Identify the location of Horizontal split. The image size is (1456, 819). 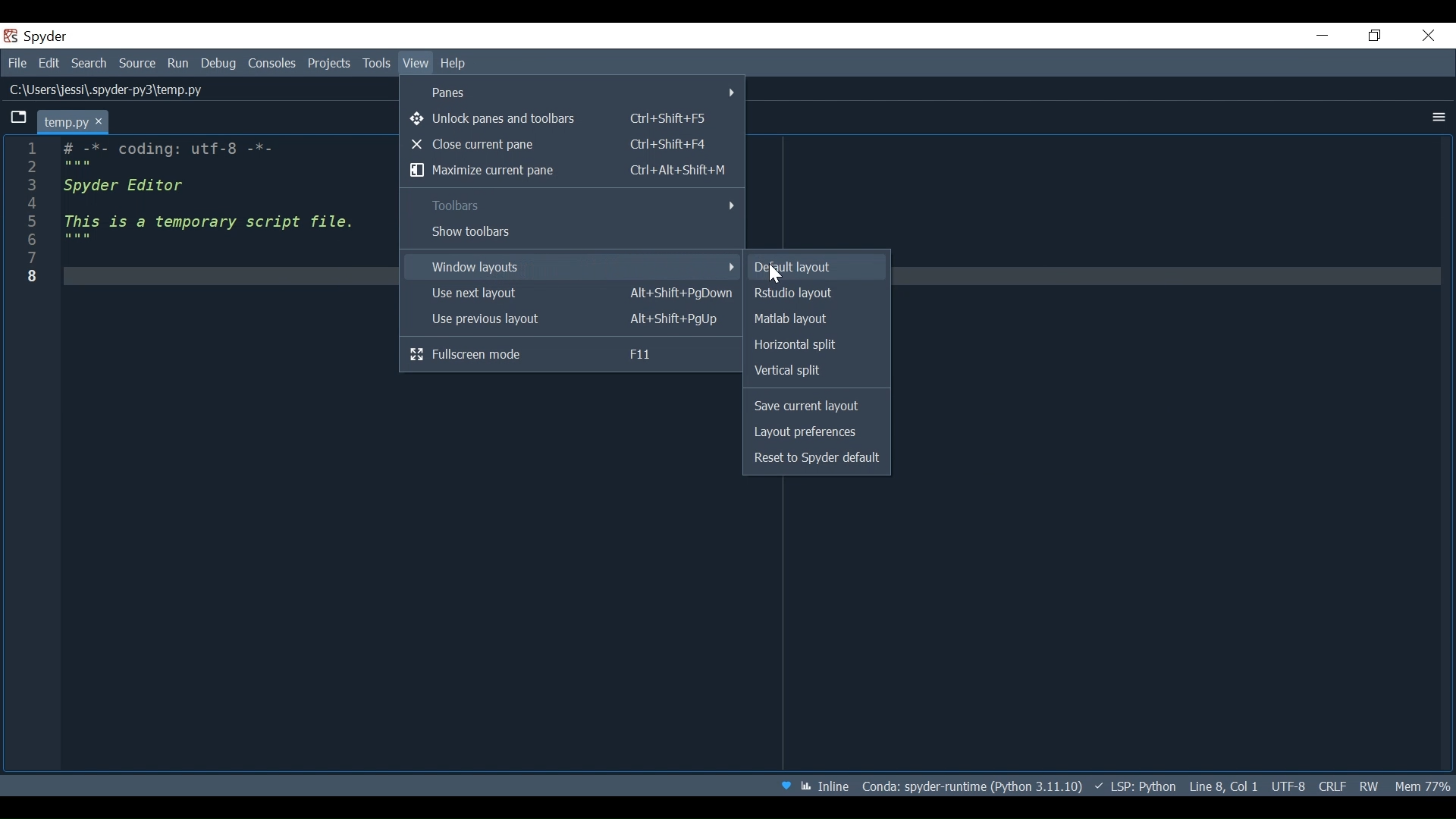
(817, 344).